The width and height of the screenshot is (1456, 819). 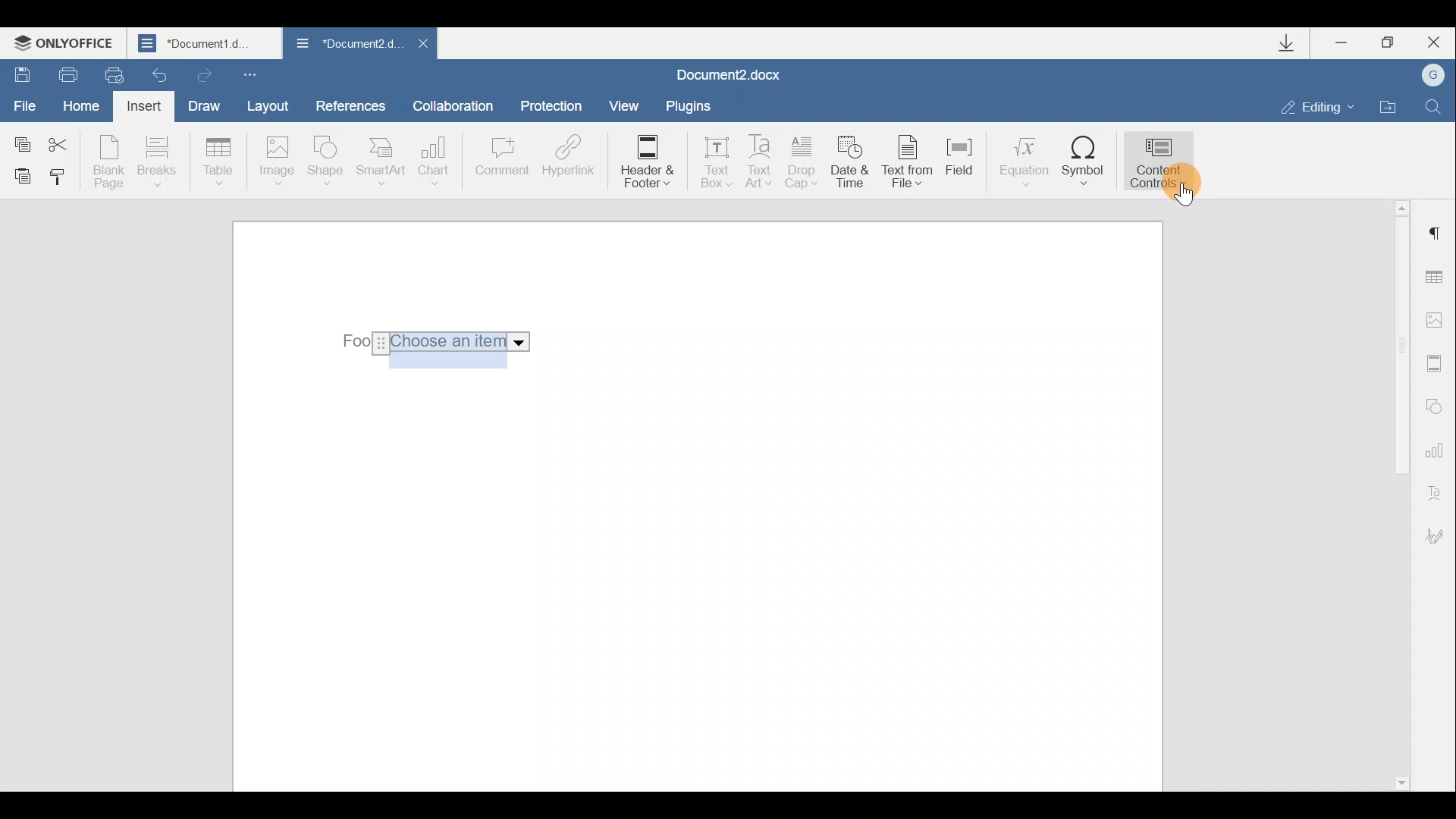 I want to click on Close, so click(x=1432, y=42).